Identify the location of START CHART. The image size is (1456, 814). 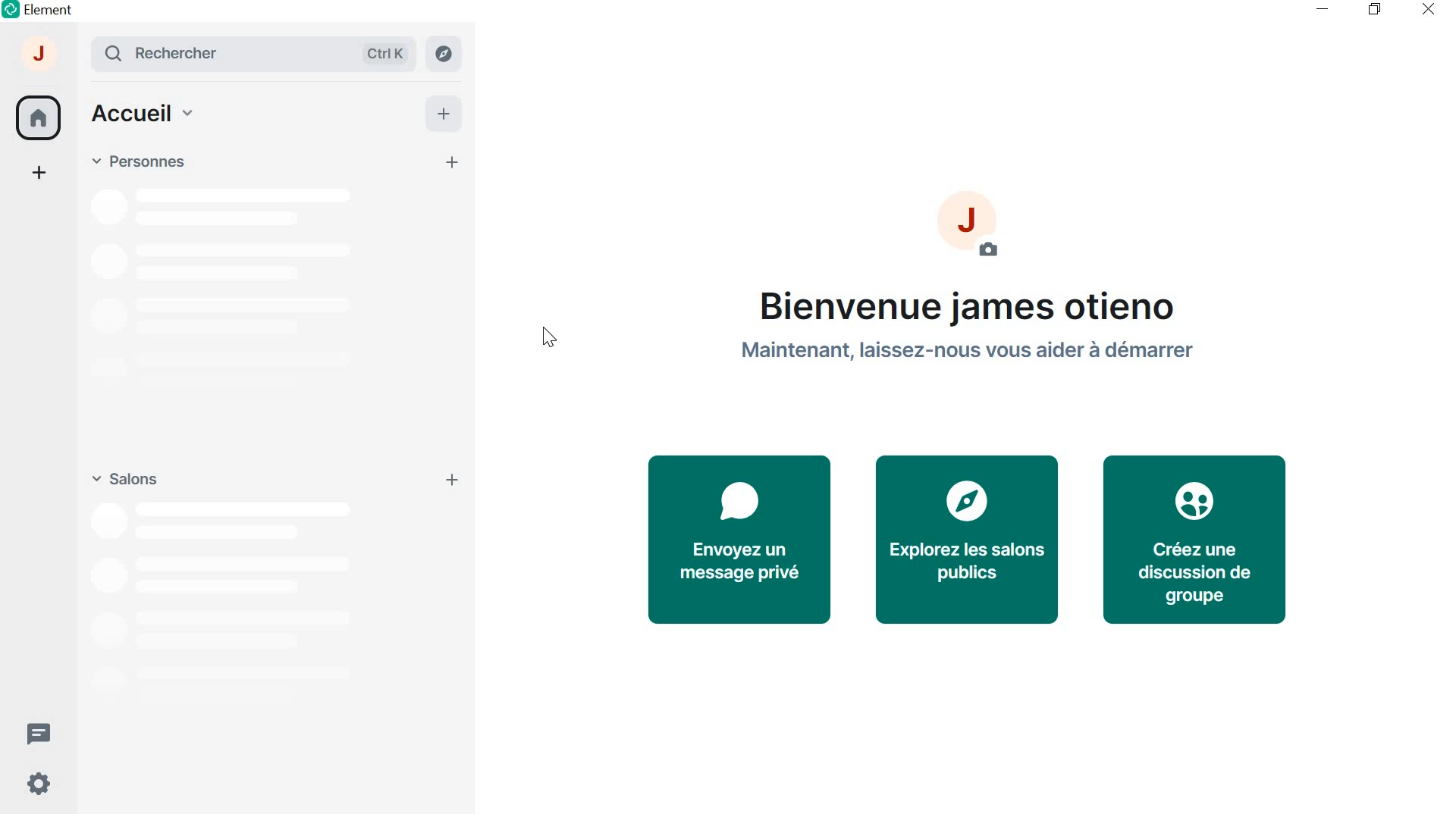
(453, 164).